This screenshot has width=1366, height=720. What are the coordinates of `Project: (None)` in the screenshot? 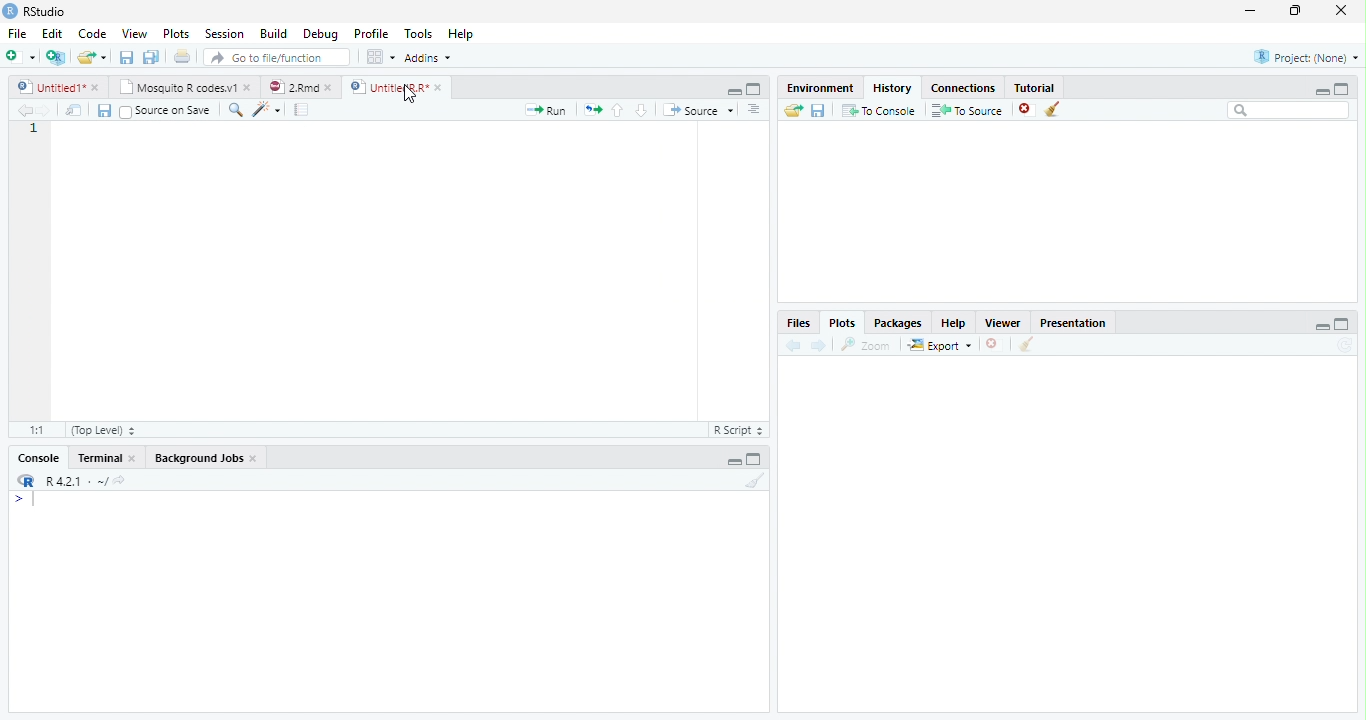 It's located at (1307, 57).